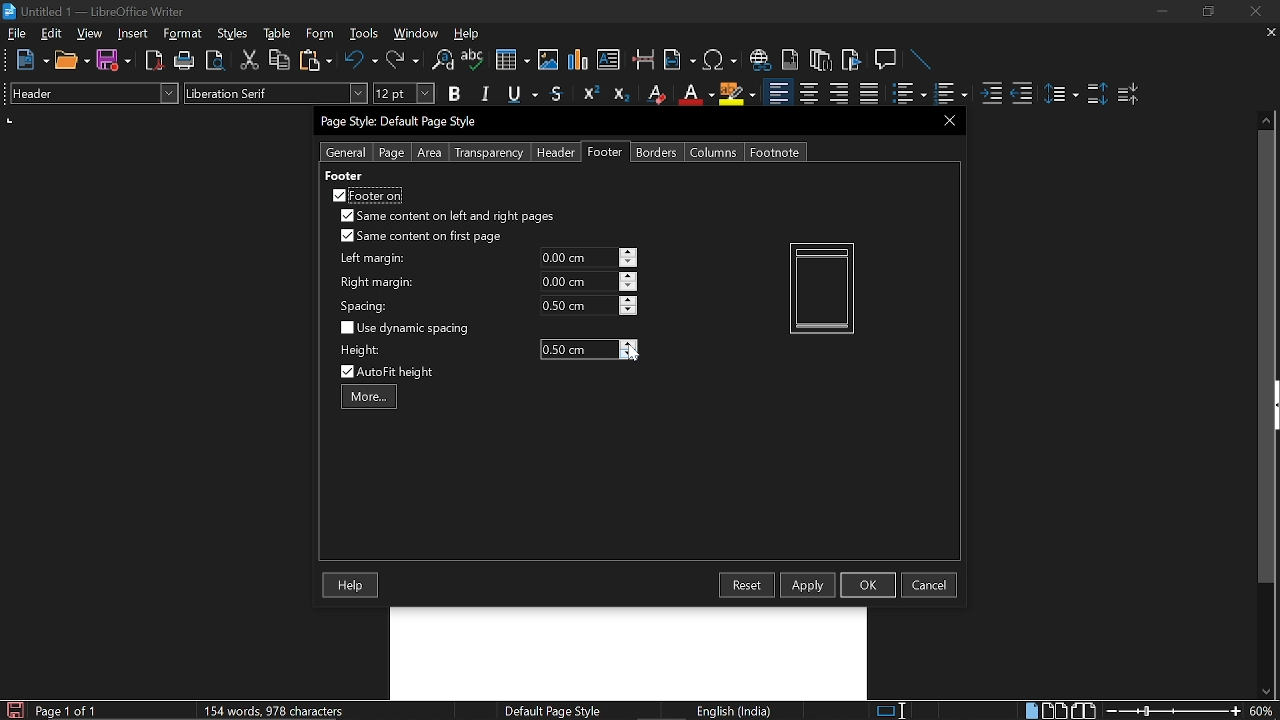  What do you see at coordinates (628, 311) in the screenshot?
I see `decrease spacing` at bounding box center [628, 311].